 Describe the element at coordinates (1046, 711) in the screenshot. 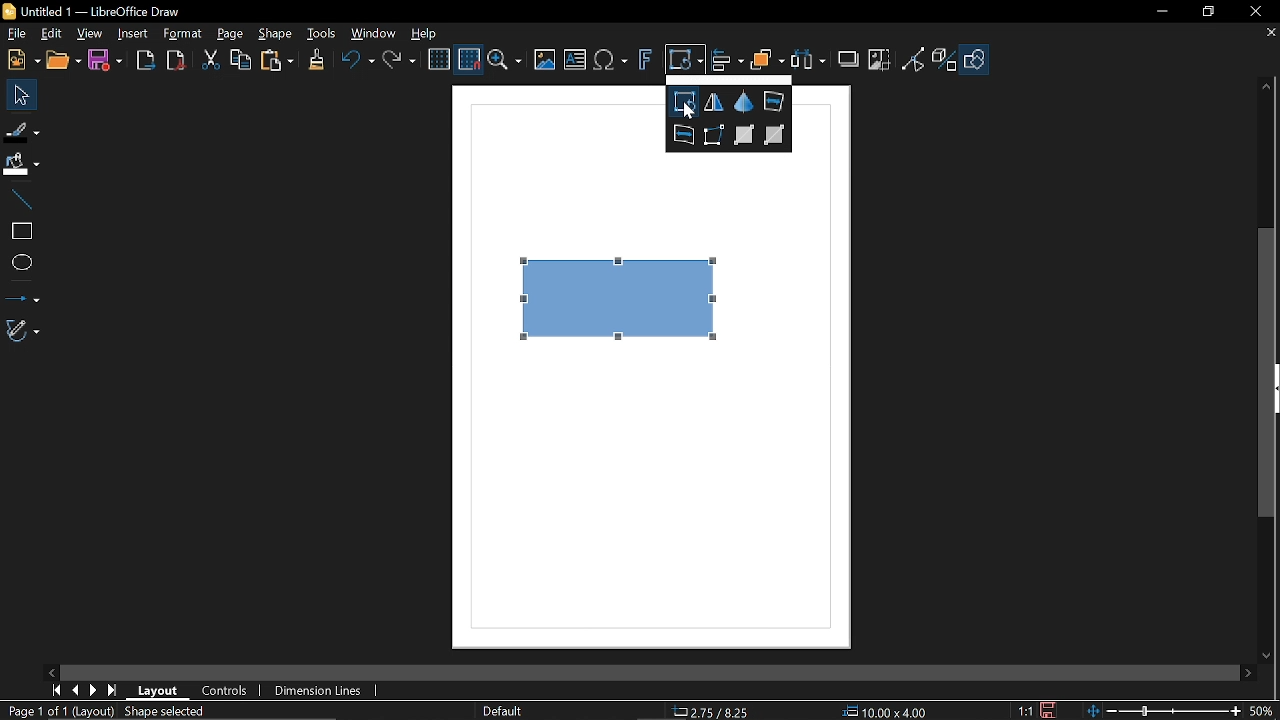

I see `Save` at that location.